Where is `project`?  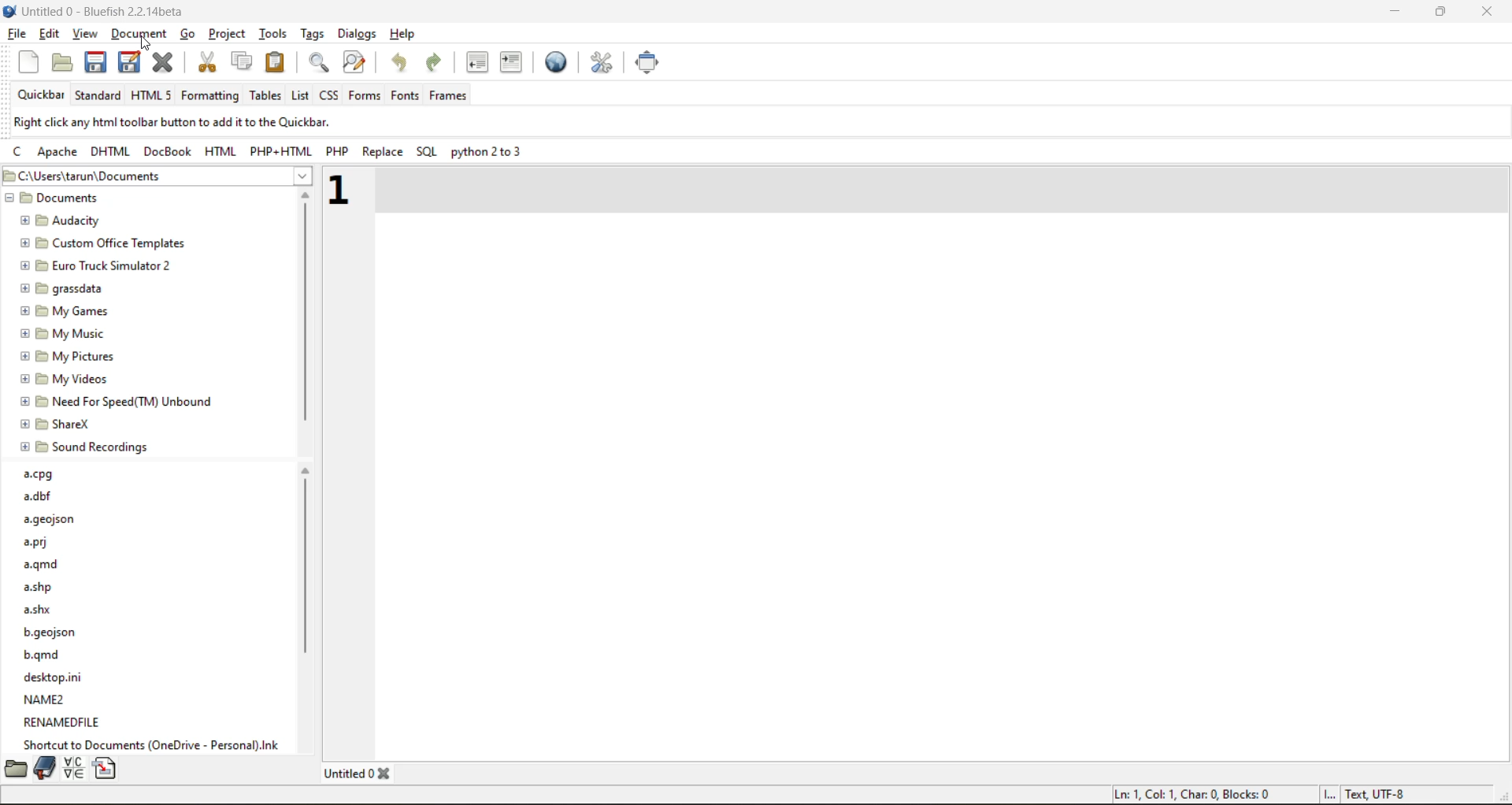
project is located at coordinates (230, 33).